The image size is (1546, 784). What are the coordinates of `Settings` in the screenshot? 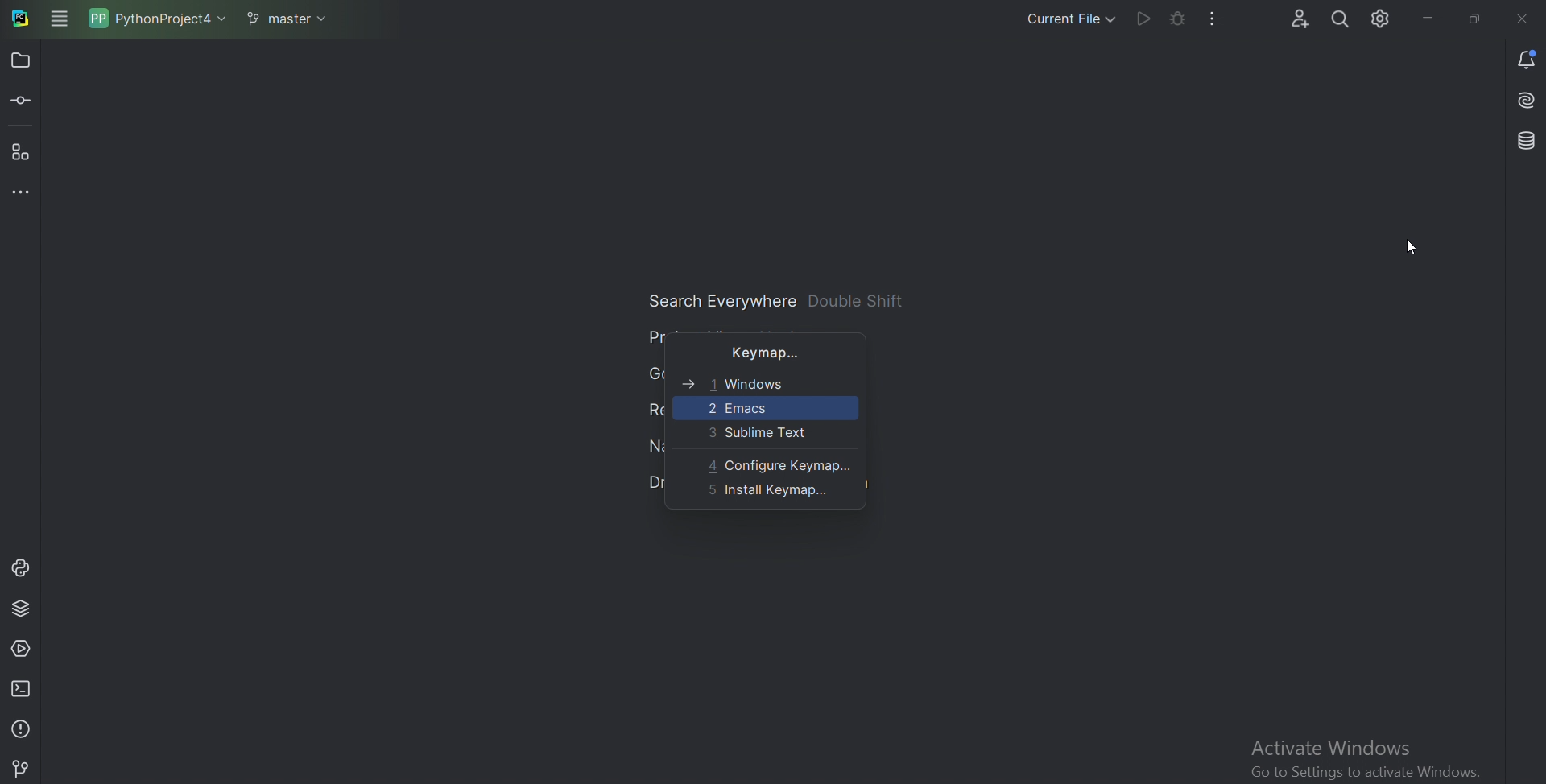 It's located at (1383, 18).